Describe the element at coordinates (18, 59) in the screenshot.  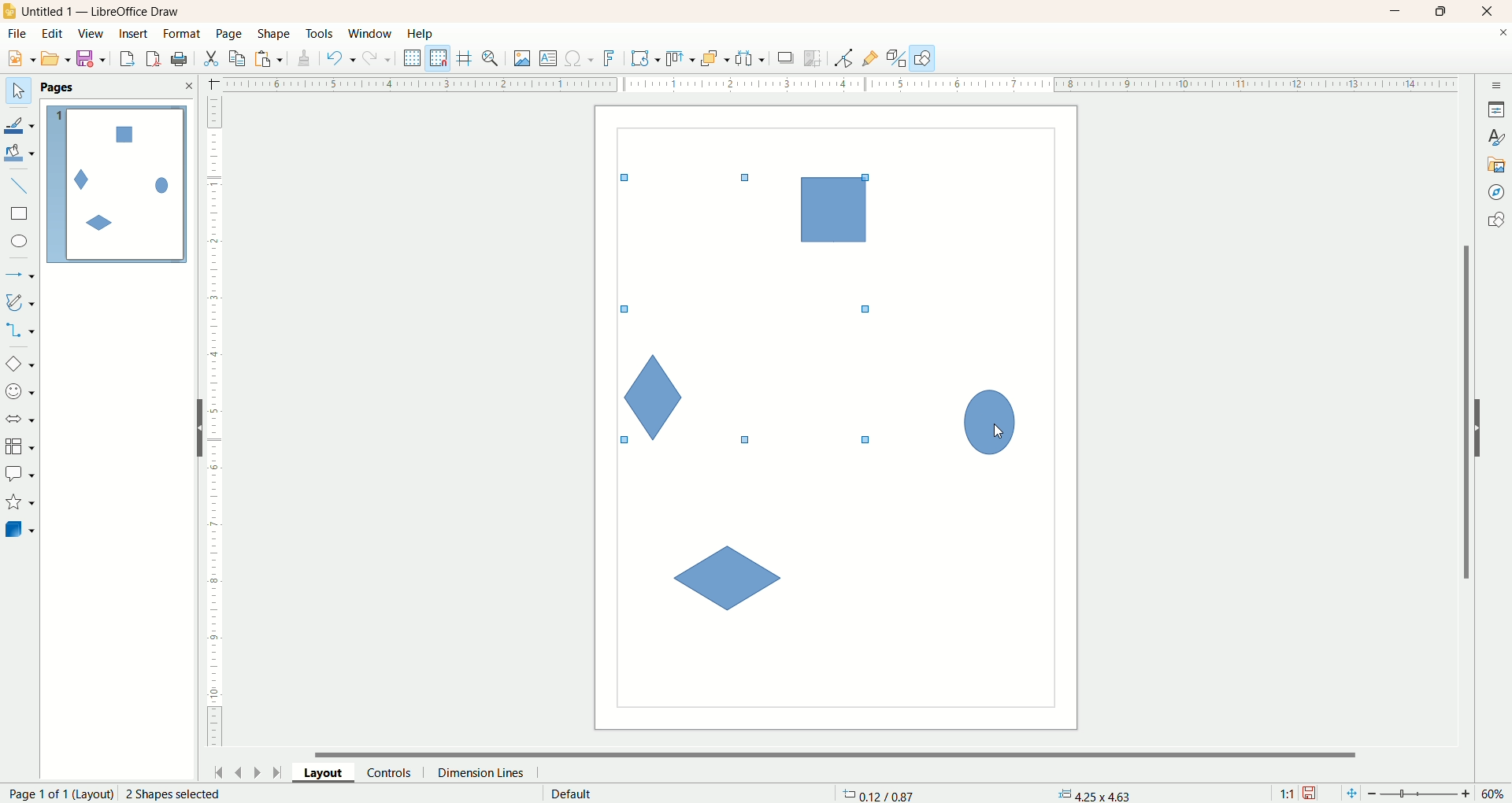
I see `new` at that location.